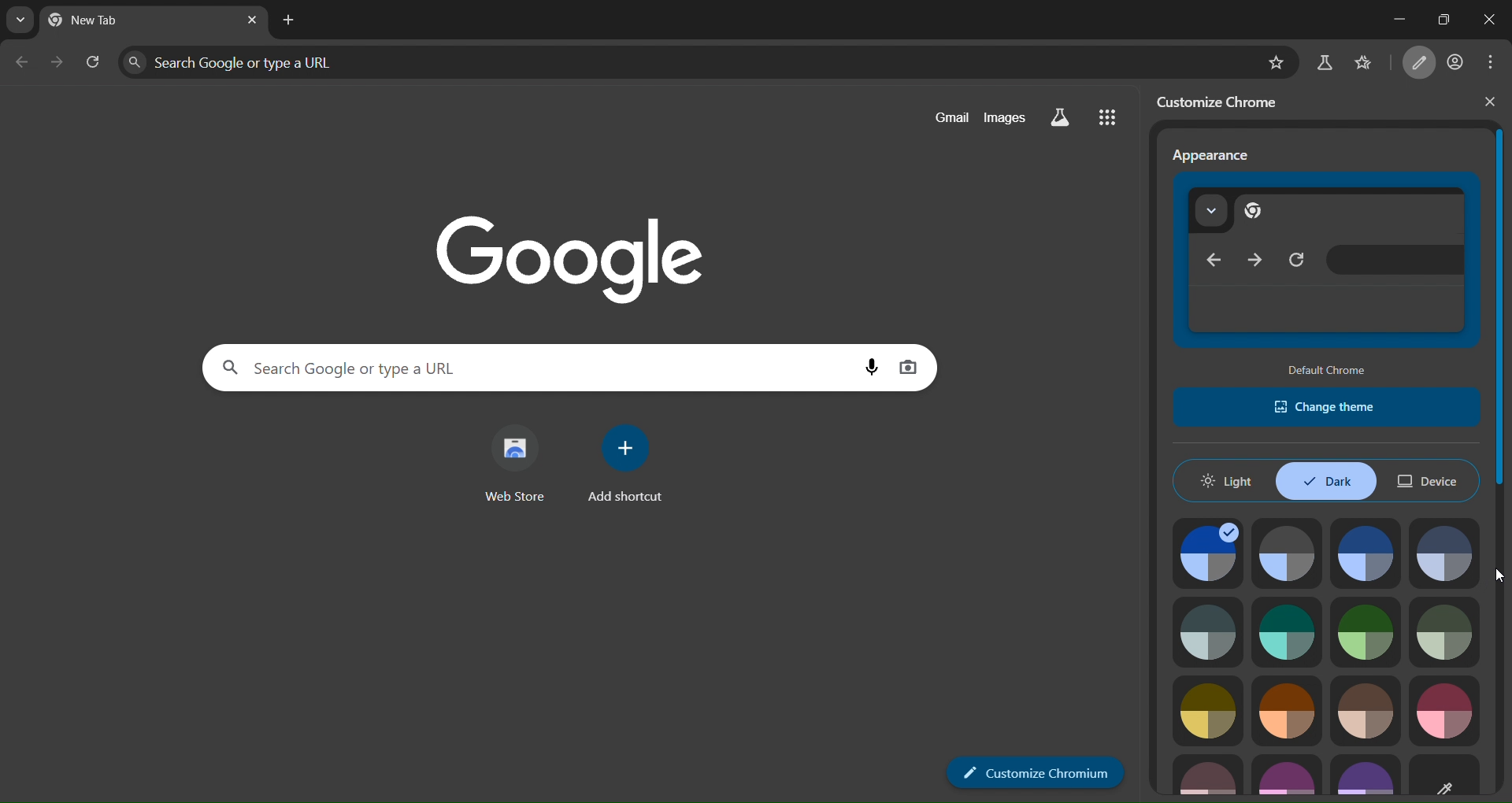 The height and width of the screenshot is (803, 1512). I want to click on image, so click(1444, 710).